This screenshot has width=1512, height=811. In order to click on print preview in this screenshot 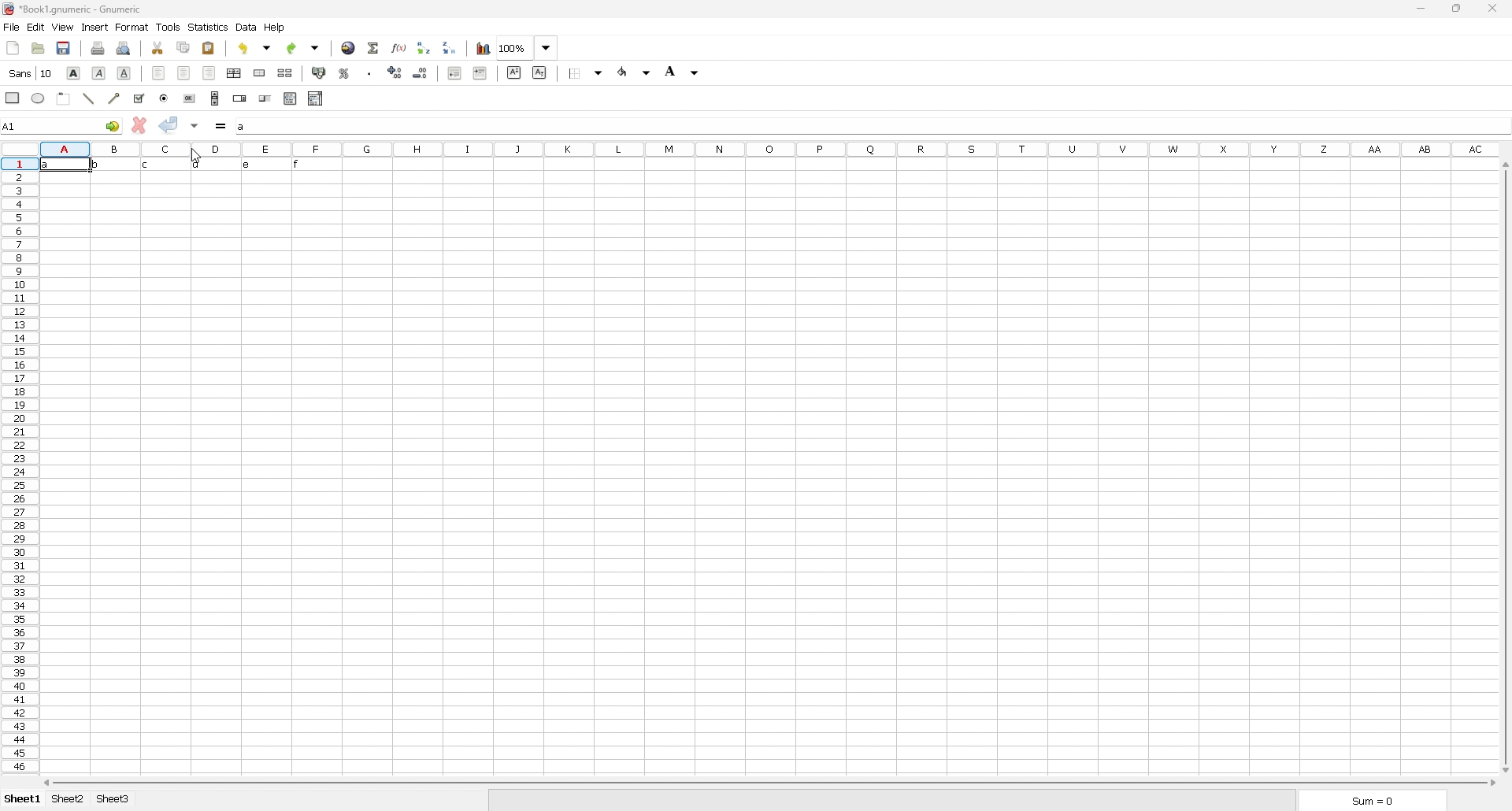, I will do `click(123, 48)`.